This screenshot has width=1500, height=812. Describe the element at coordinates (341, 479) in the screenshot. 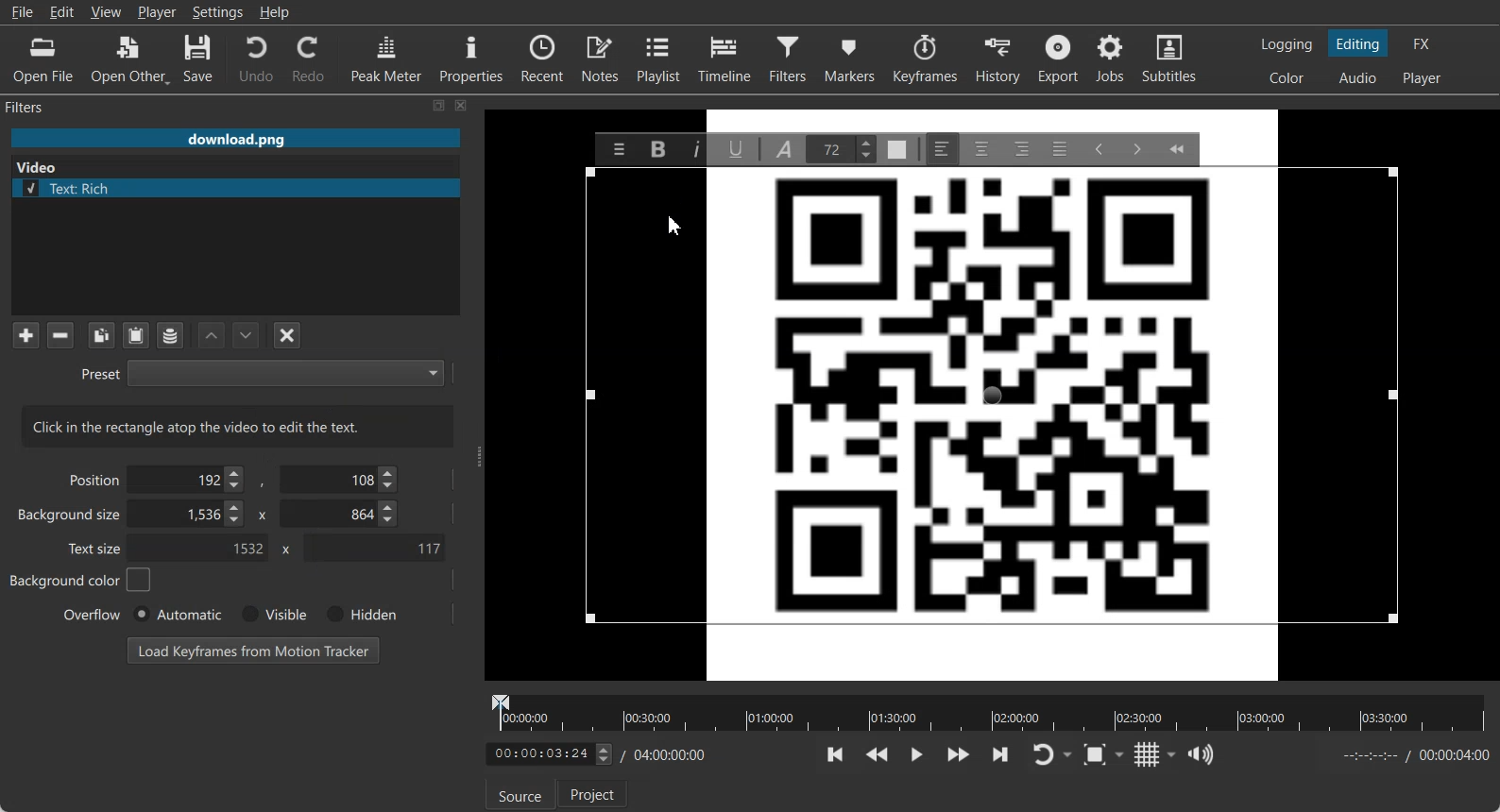

I see `Position Y- Coordinate` at that location.